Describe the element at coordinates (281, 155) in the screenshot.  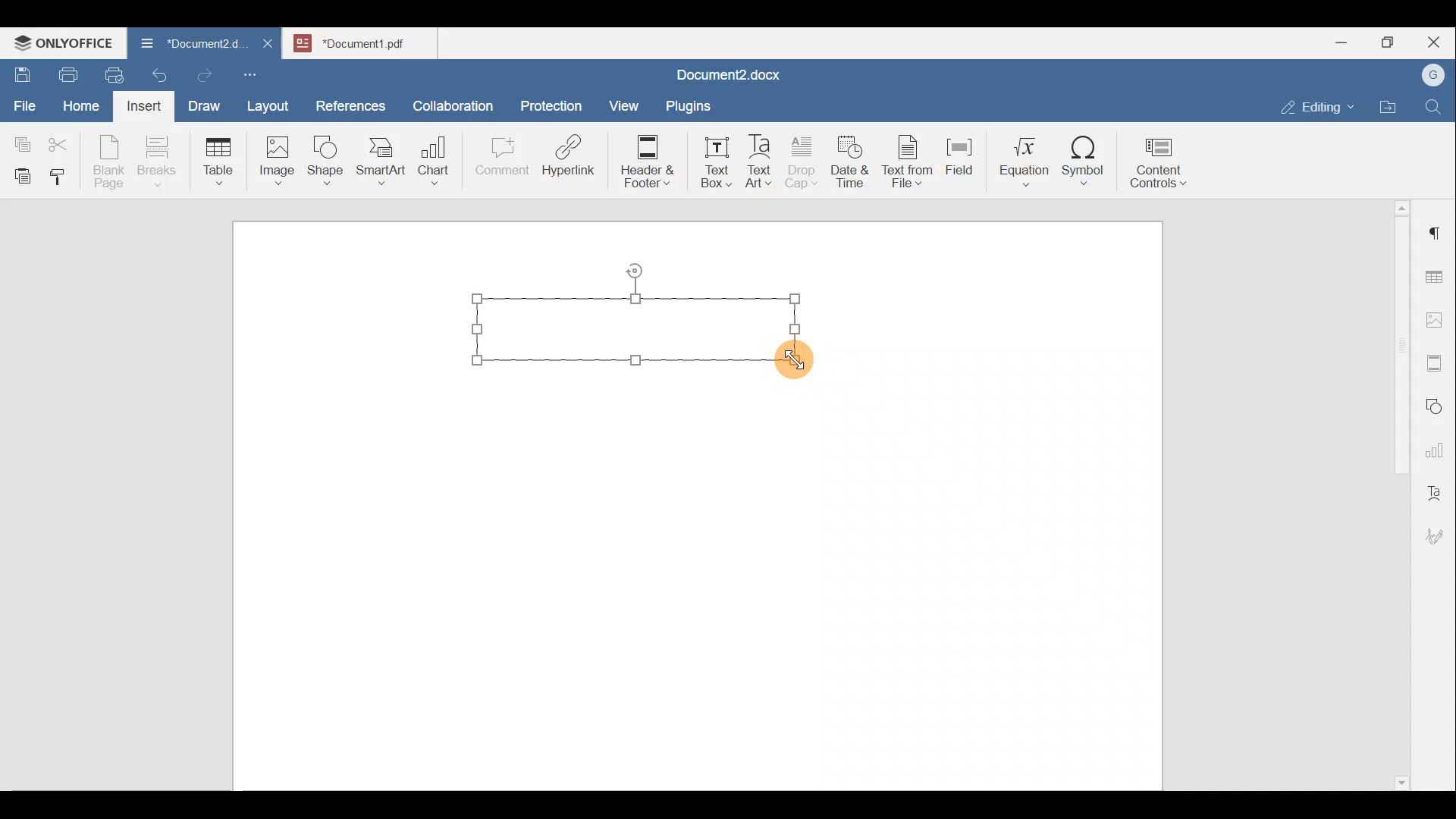
I see `Image` at that location.